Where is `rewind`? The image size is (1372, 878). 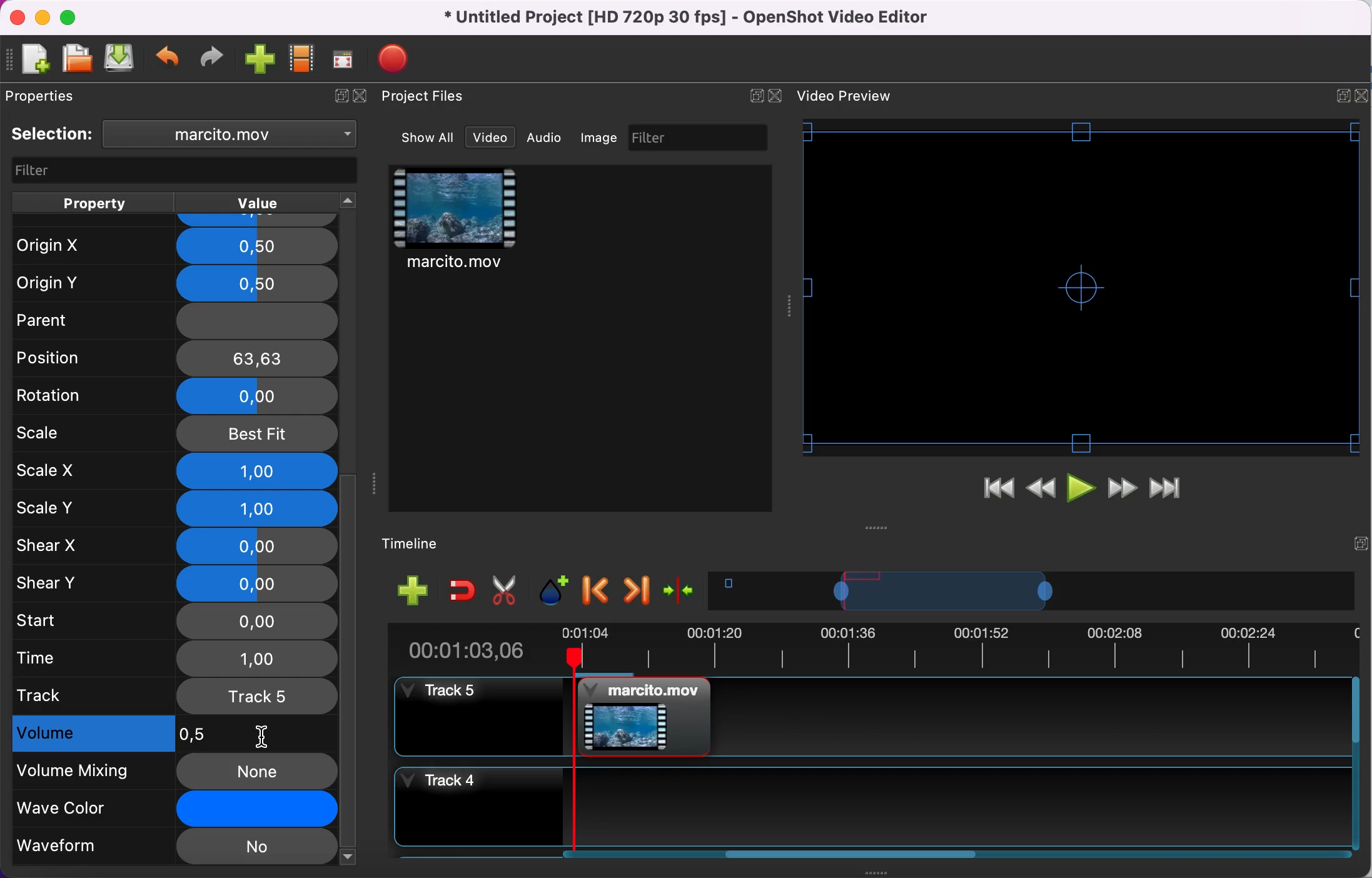 rewind is located at coordinates (1042, 492).